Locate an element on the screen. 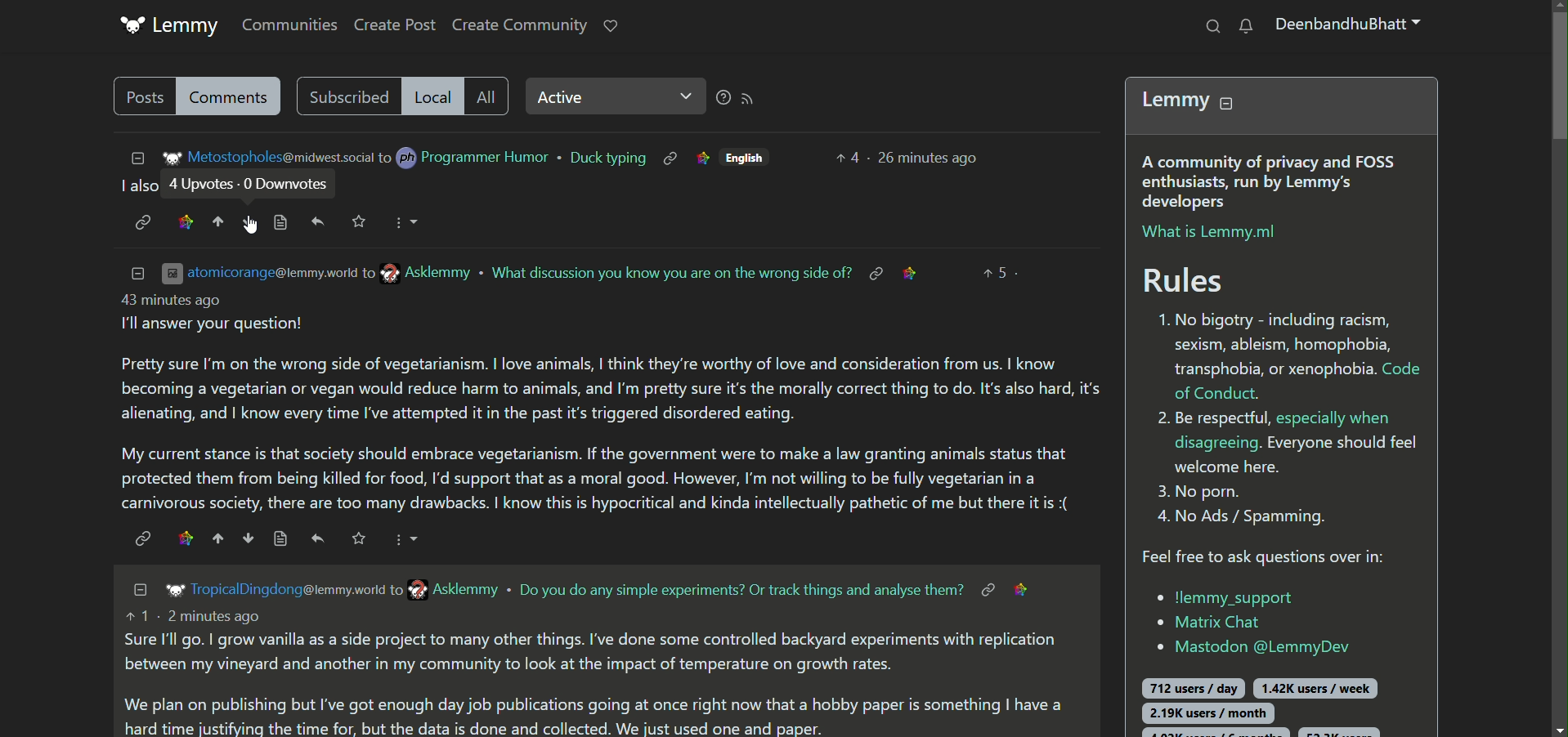  hyperlink is located at coordinates (670, 158).